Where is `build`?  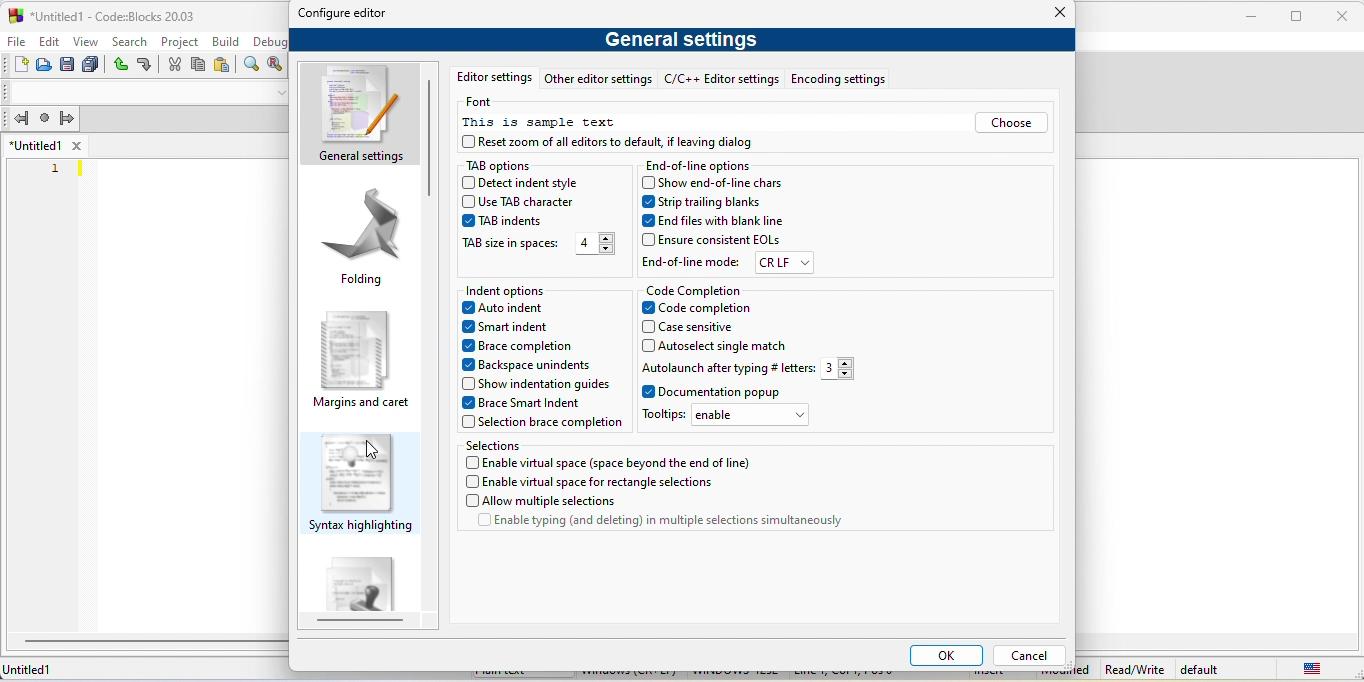
build is located at coordinates (226, 42).